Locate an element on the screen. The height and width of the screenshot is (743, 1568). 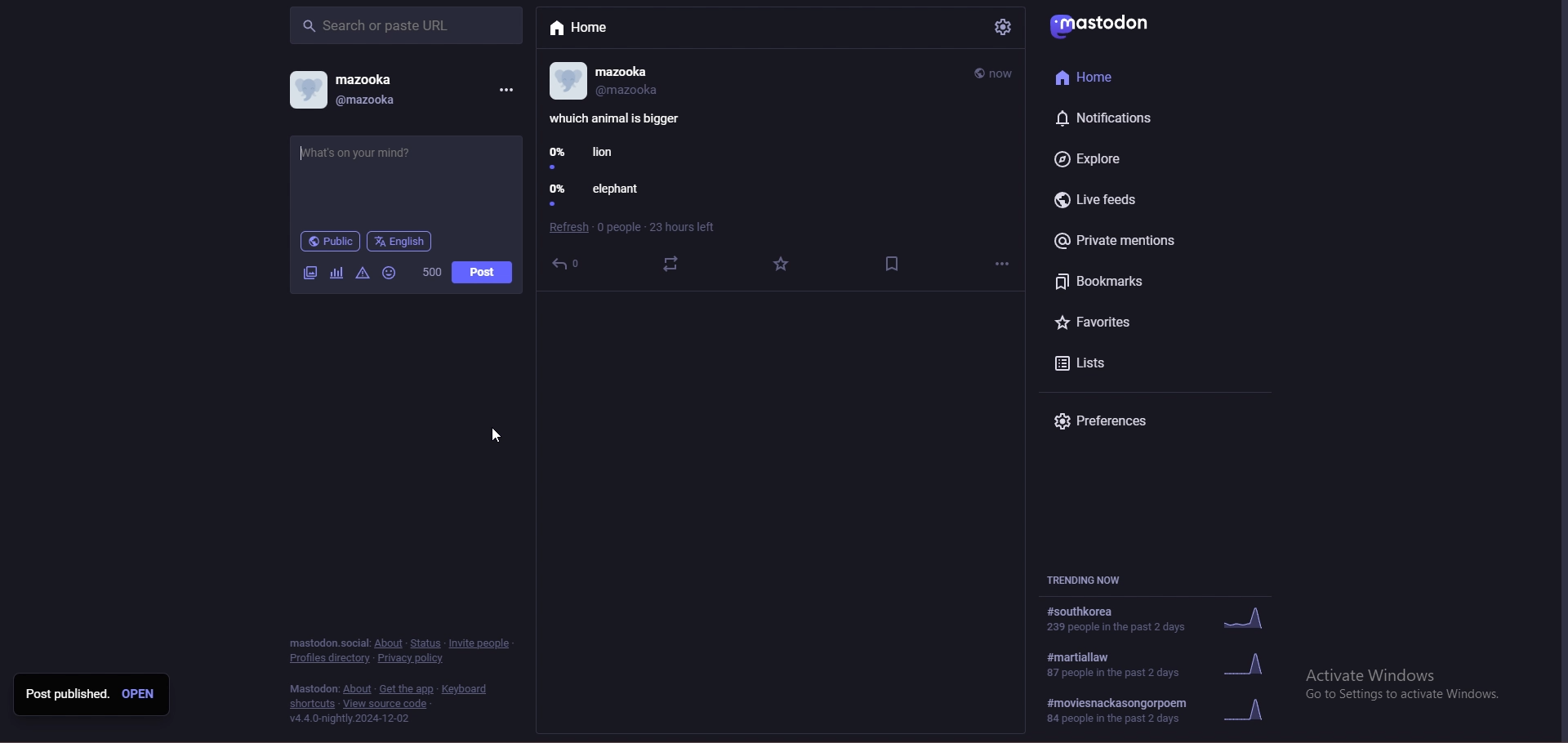
Post published. is located at coordinates (68, 696).